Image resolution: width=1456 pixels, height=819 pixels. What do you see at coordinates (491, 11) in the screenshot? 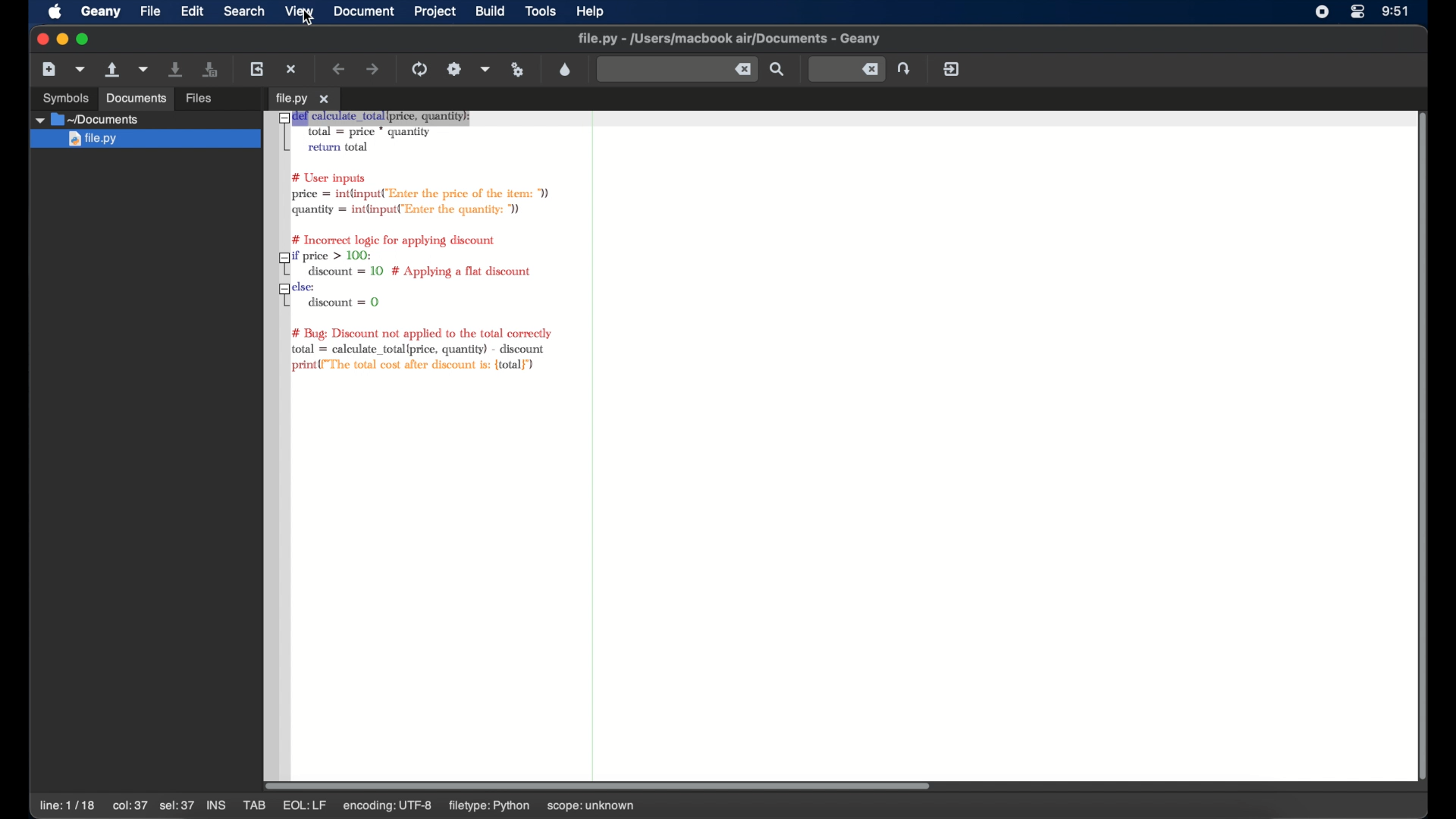
I see `build` at bounding box center [491, 11].